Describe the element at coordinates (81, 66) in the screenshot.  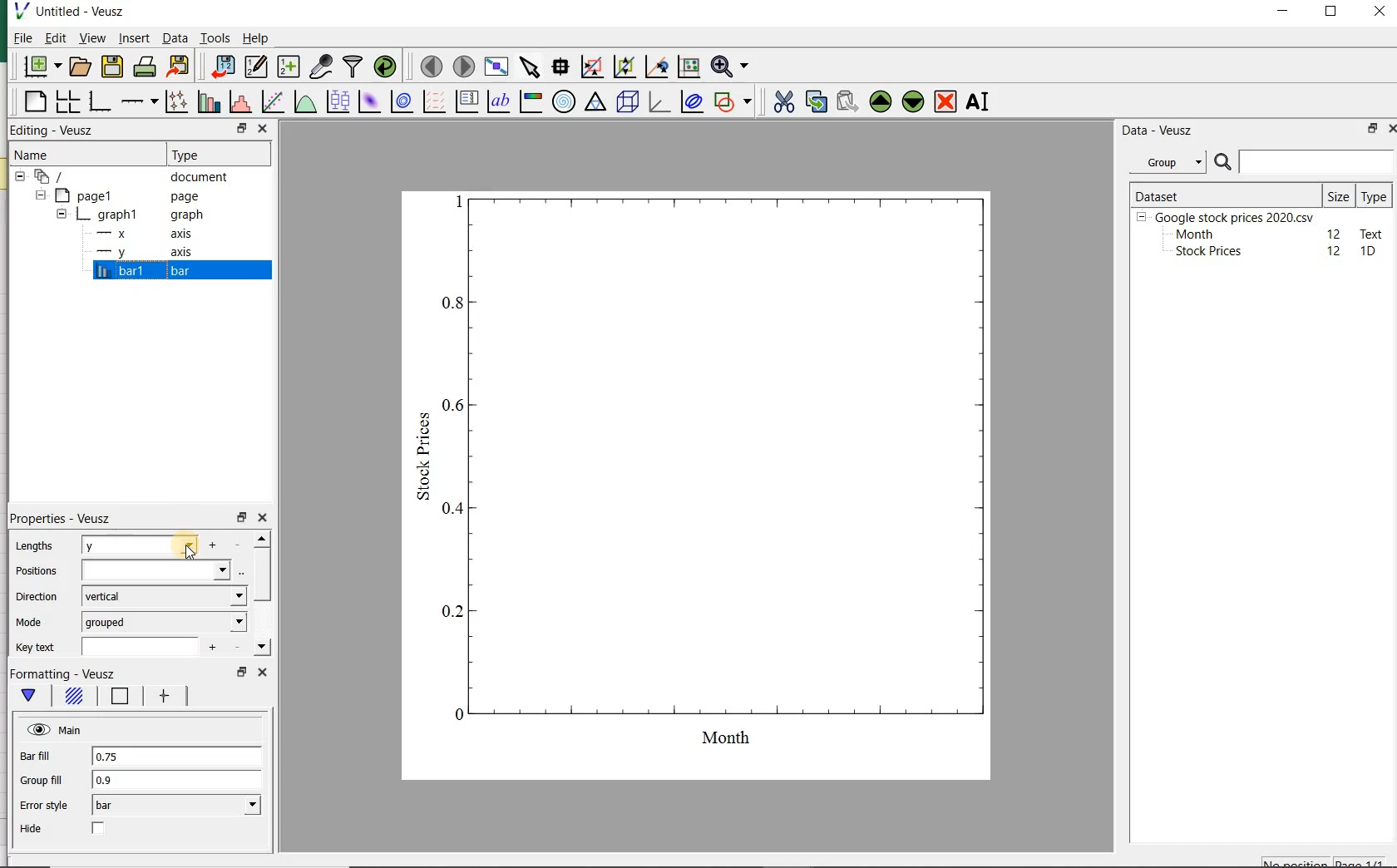
I see `open a document` at that location.